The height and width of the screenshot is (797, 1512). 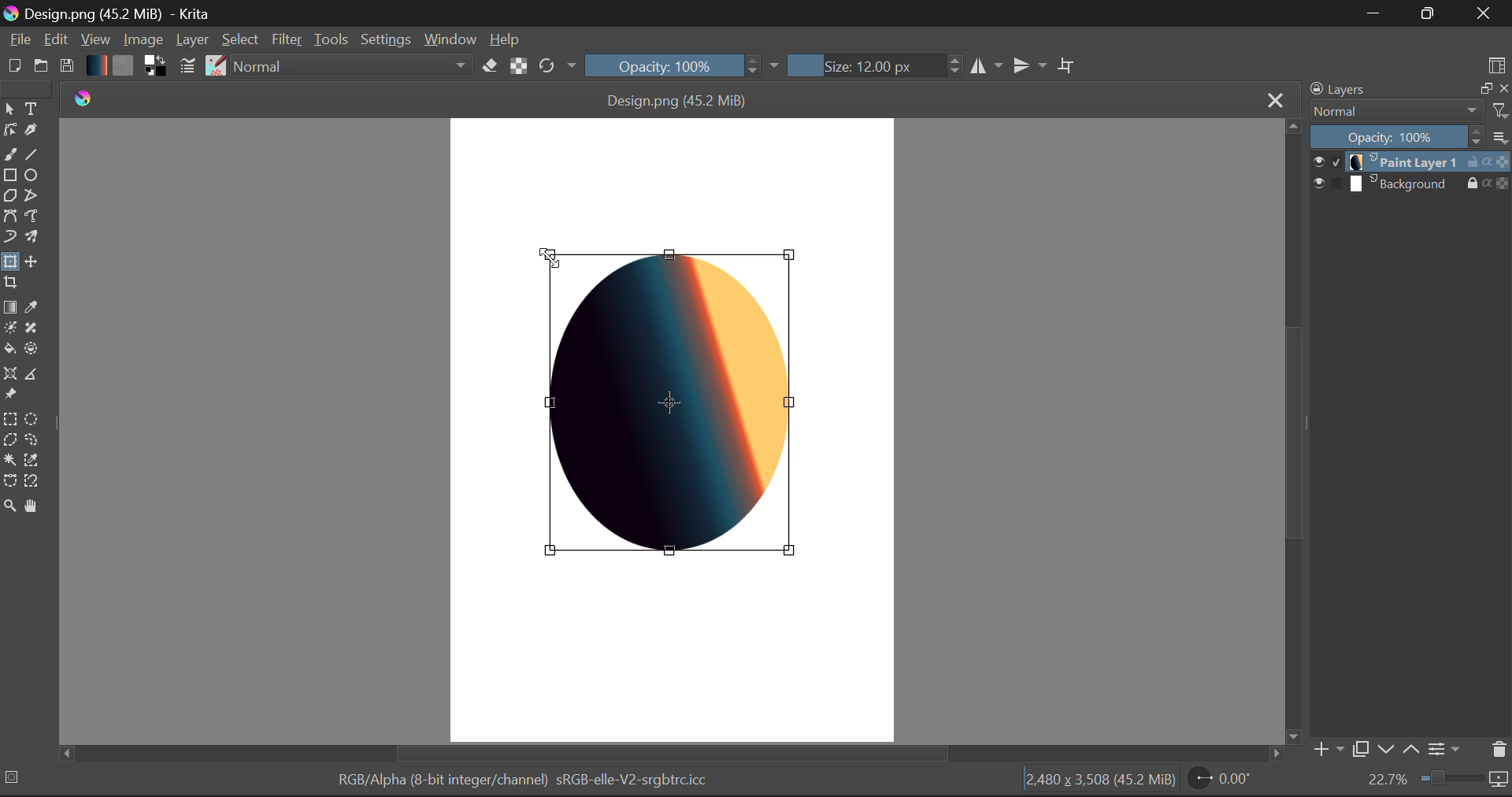 I want to click on Transform Layer Selected, so click(x=9, y=263).